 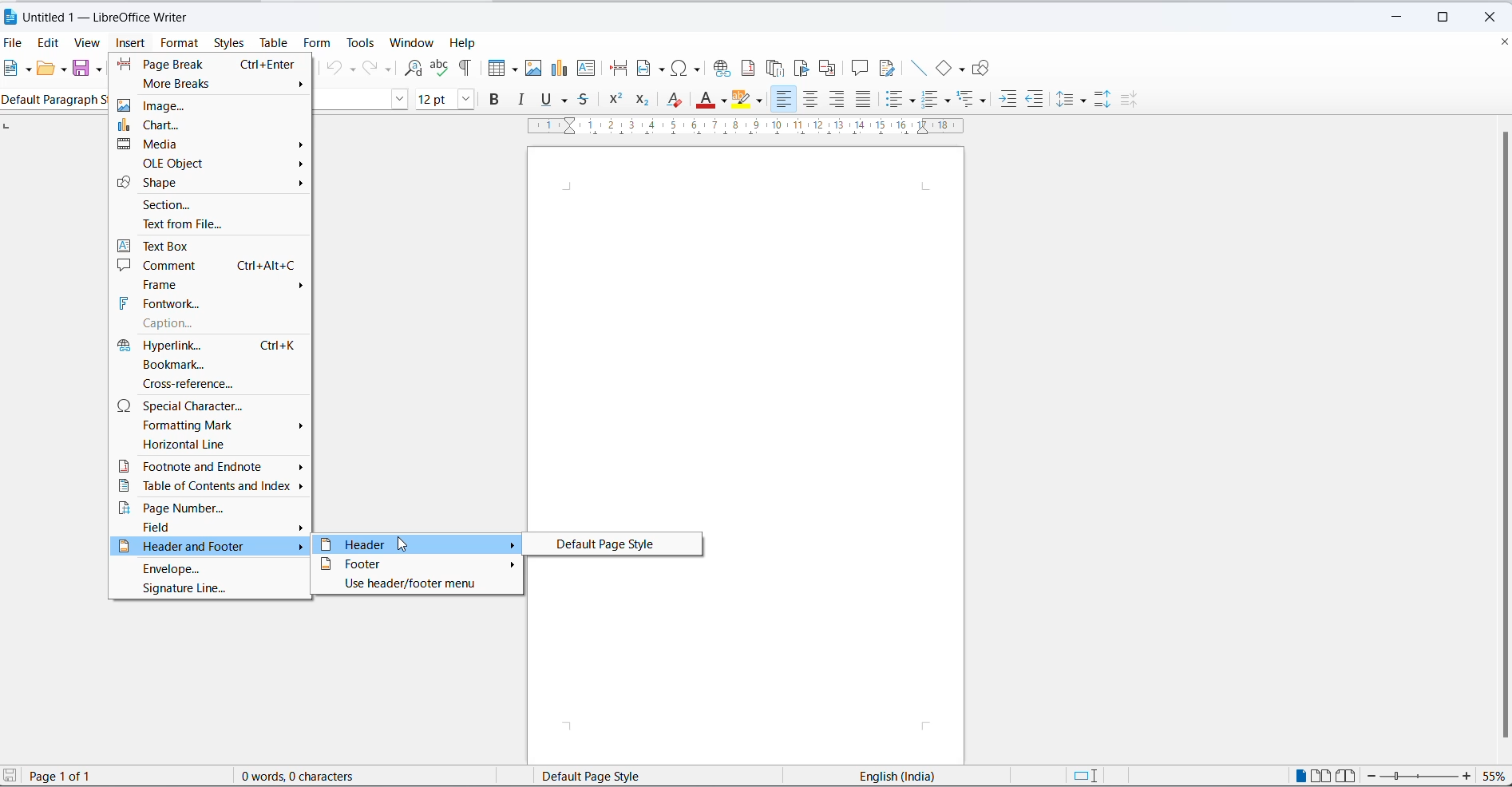 I want to click on page style, so click(x=610, y=775).